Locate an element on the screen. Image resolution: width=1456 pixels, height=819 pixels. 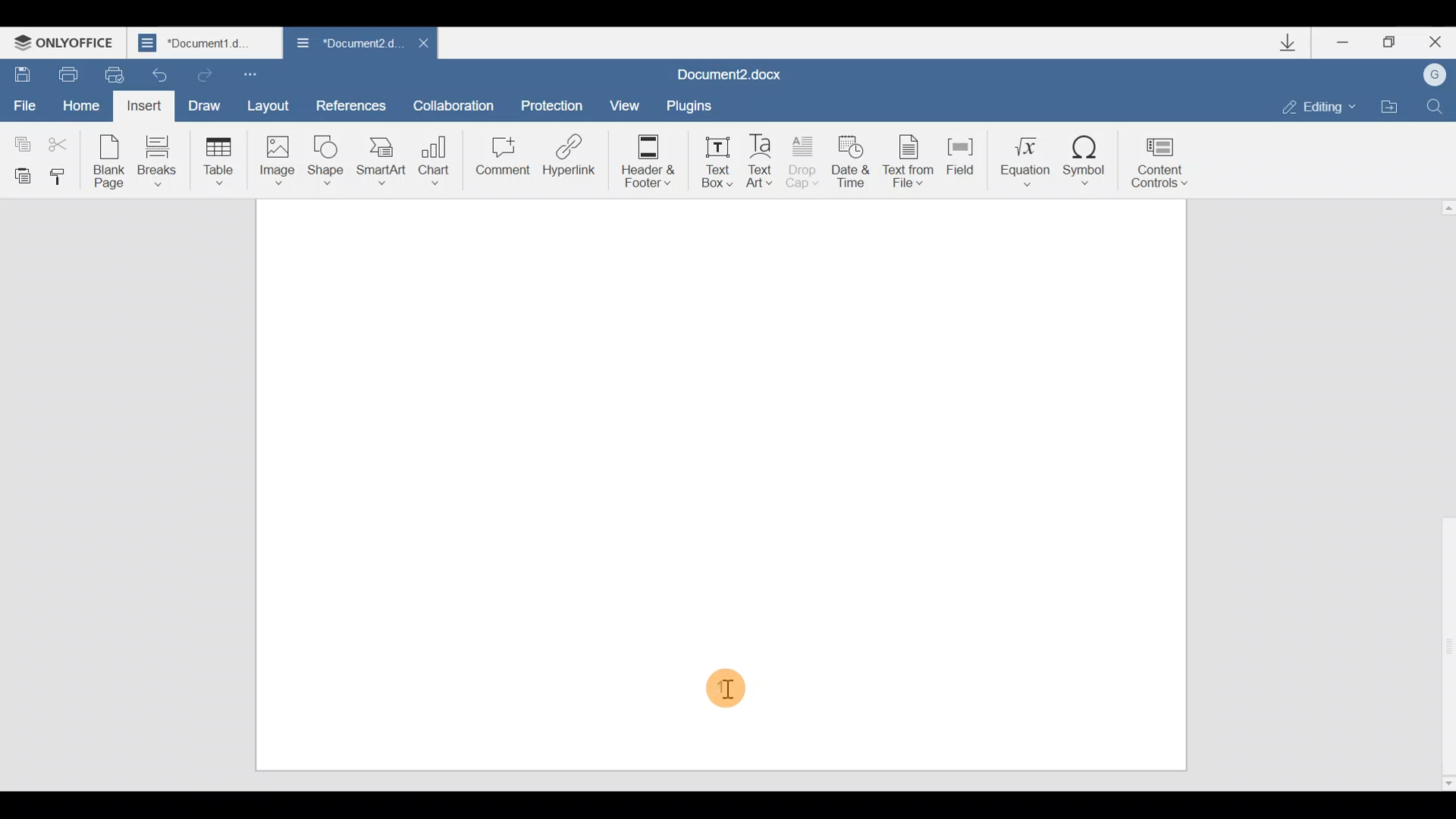
Maximize is located at coordinates (1387, 40).